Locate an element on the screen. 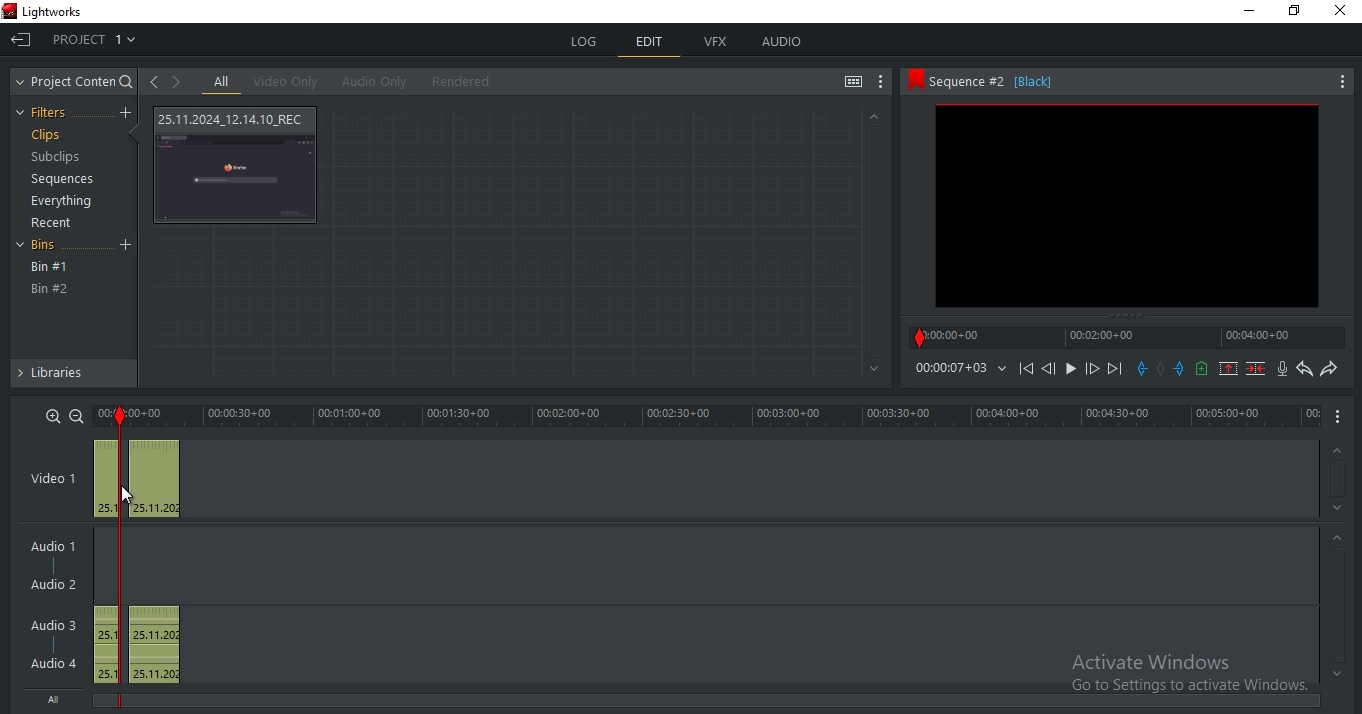  Up is located at coordinates (1339, 448).